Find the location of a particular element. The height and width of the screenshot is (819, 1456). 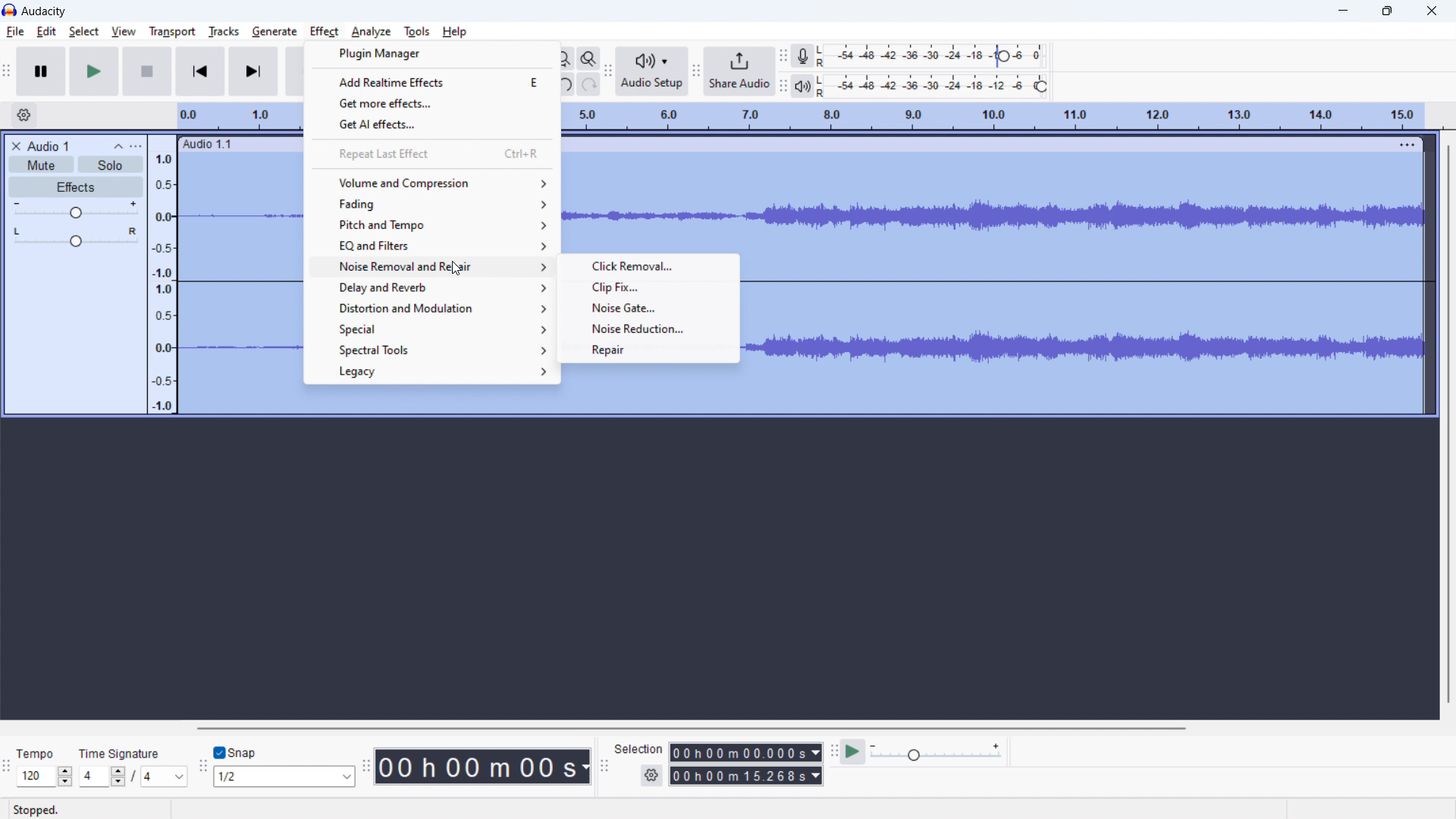

file is located at coordinates (15, 31).